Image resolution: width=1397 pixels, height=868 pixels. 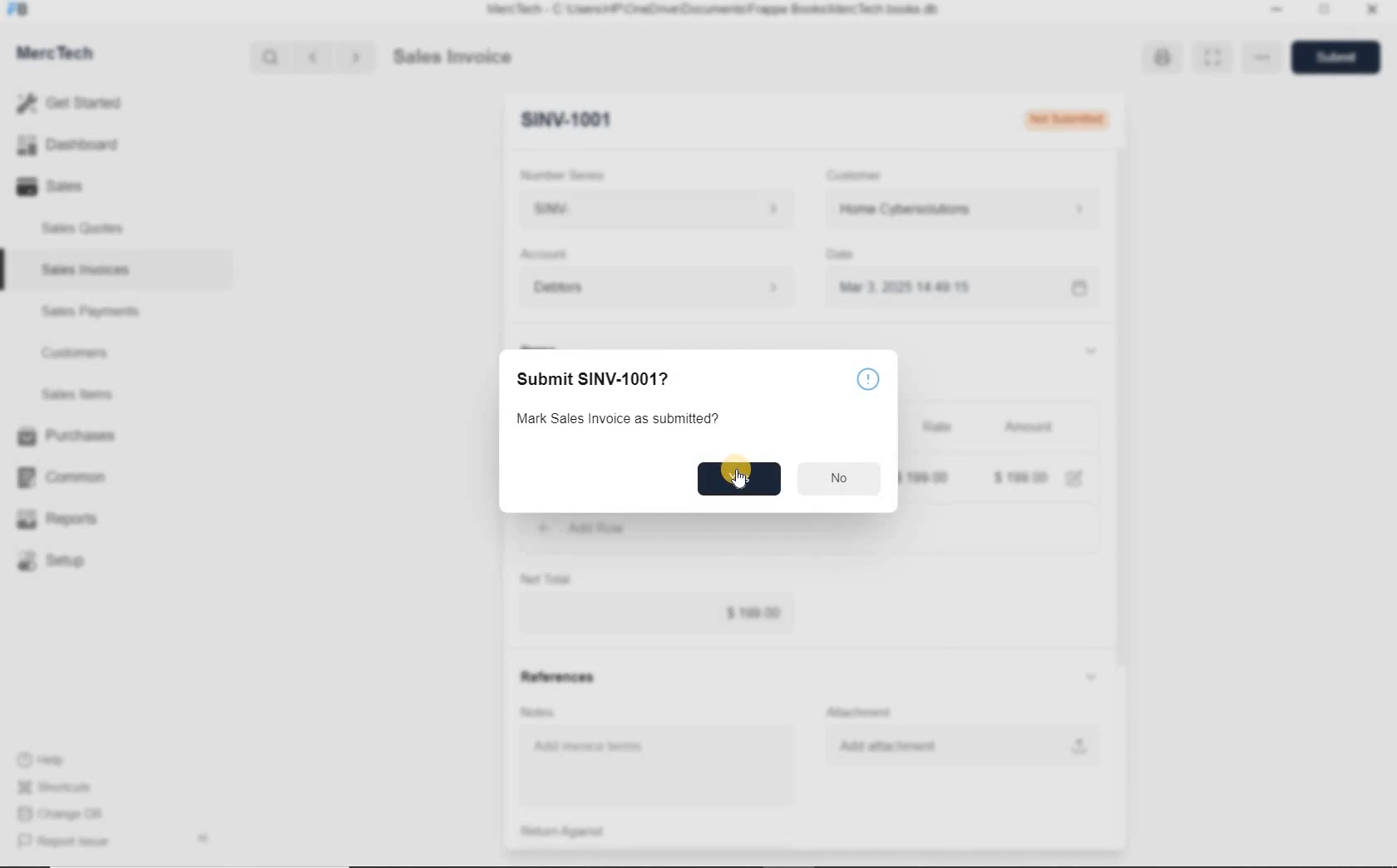 What do you see at coordinates (636, 528) in the screenshot?
I see `create` at bounding box center [636, 528].